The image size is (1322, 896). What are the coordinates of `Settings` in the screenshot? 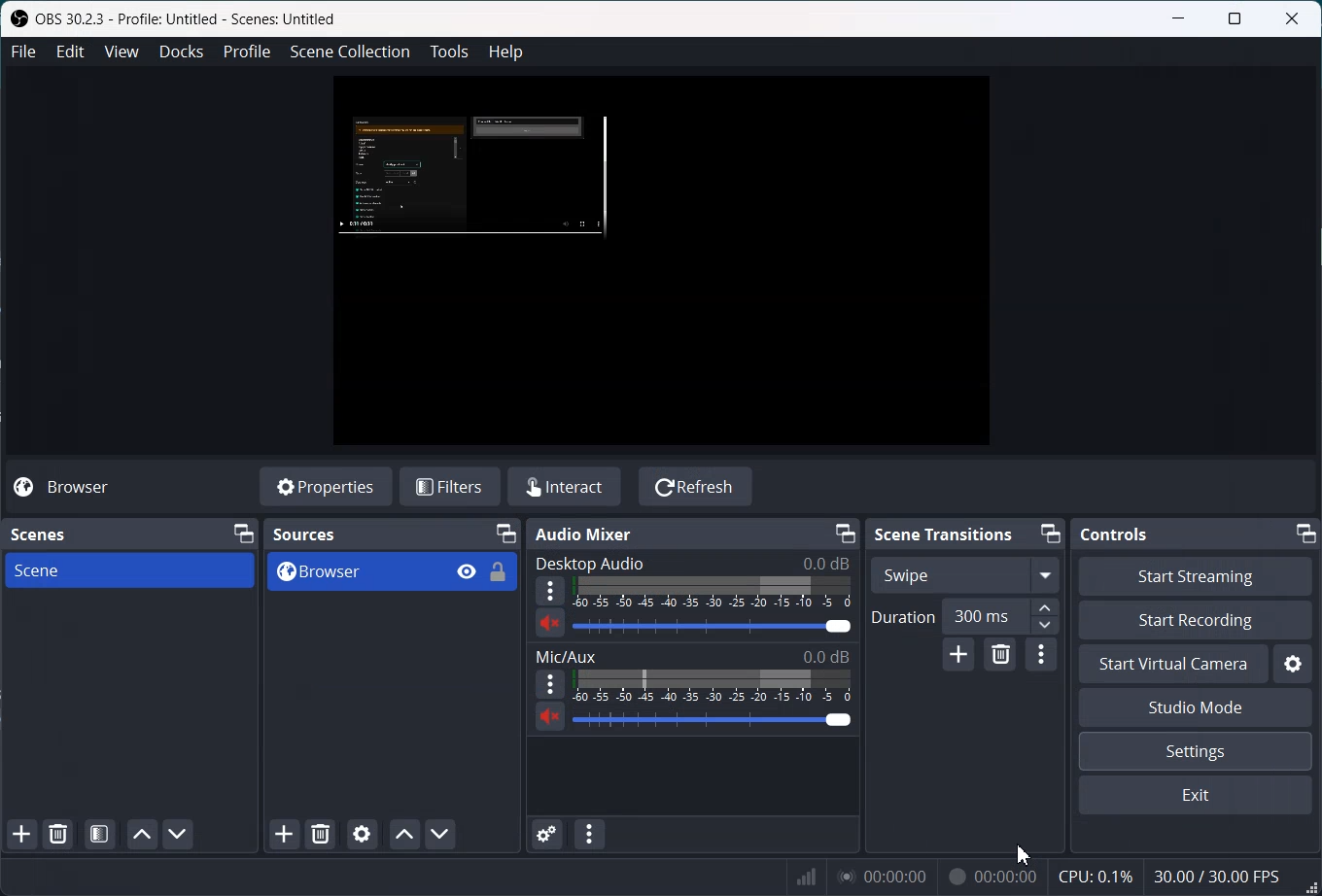 It's located at (1196, 752).